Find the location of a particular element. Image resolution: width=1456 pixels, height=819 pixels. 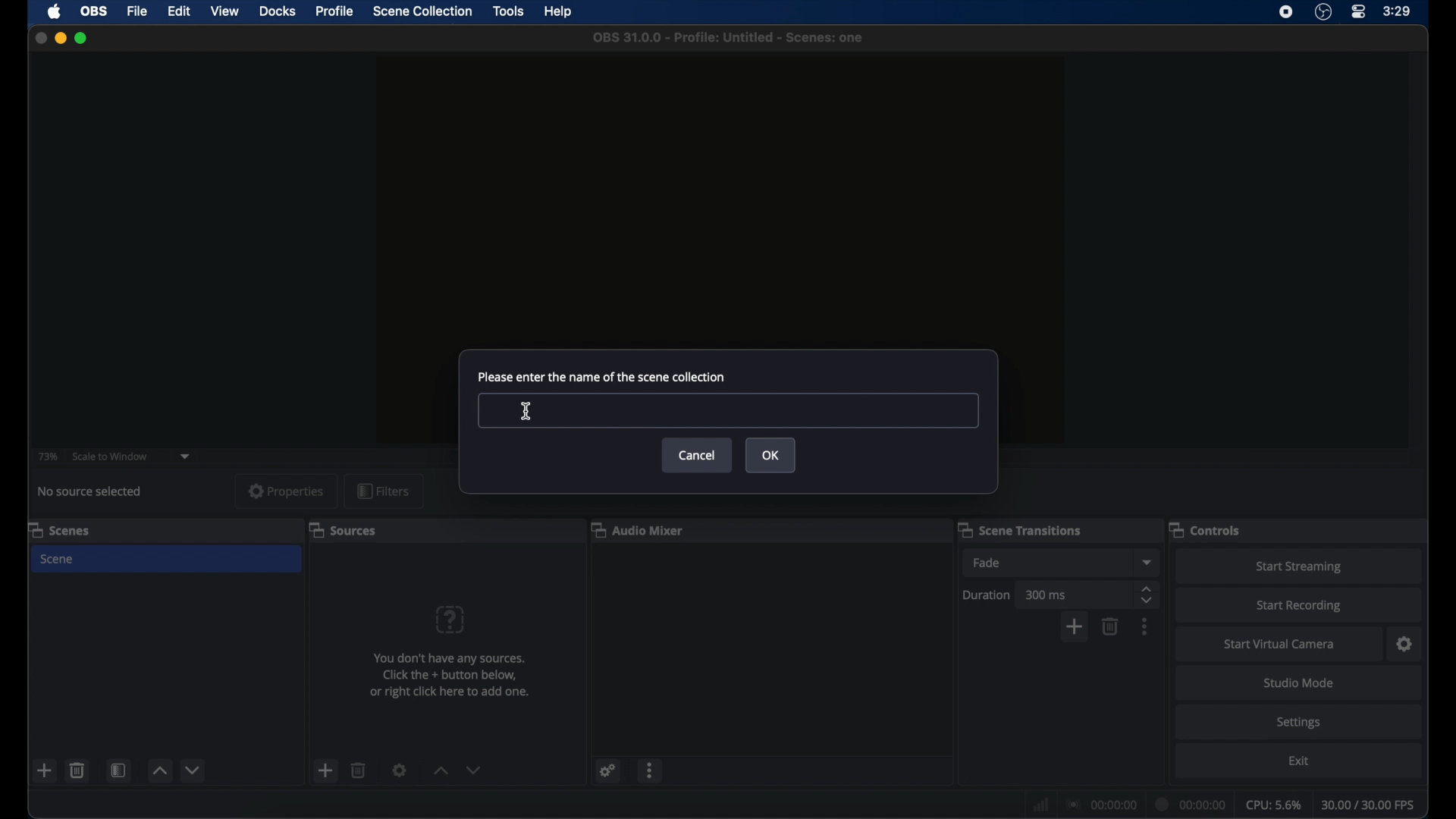

question mark icon is located at coordinates (451, 620).